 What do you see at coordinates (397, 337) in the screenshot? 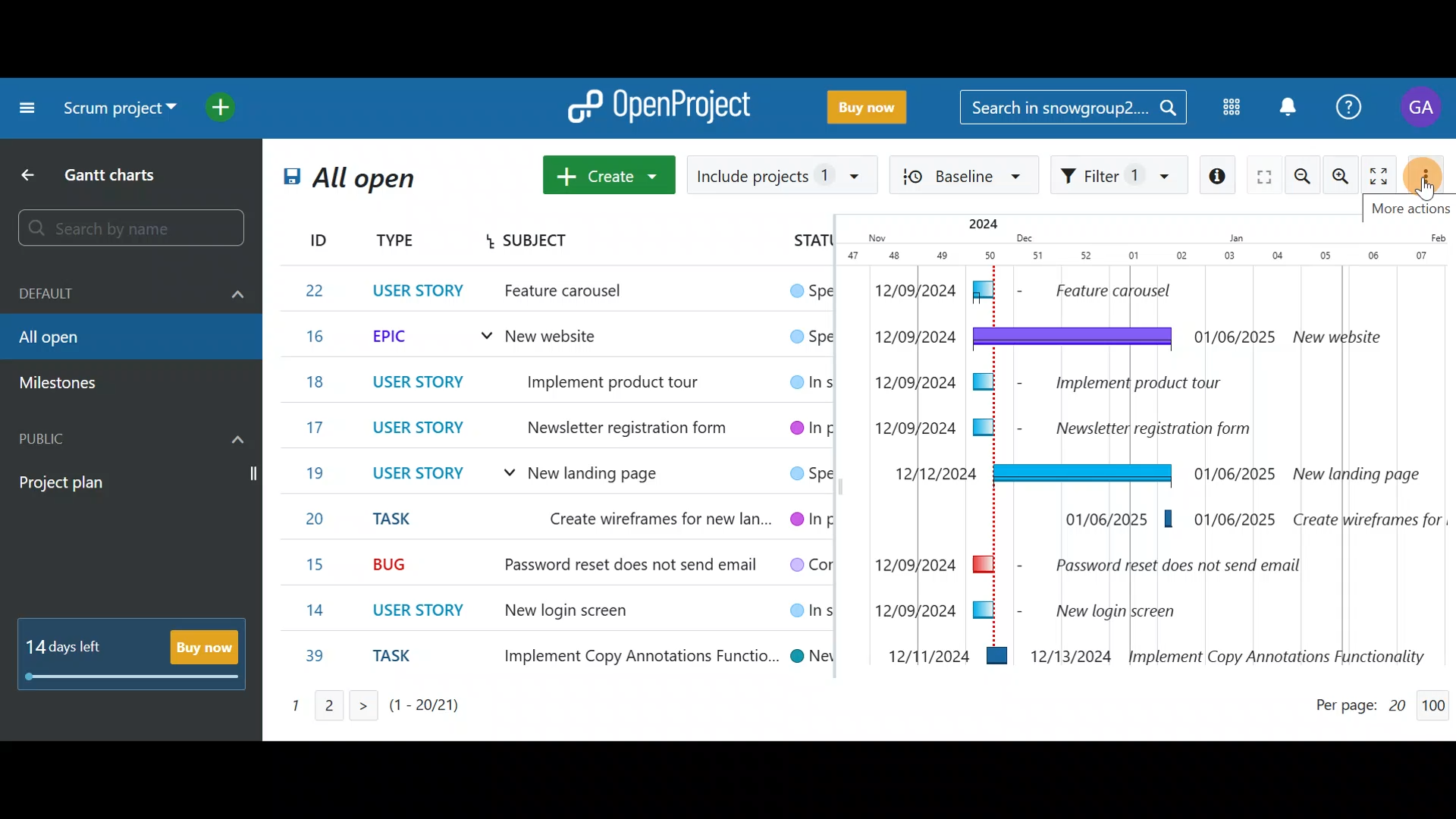
I see `EPIC` at bounding box center [397, 337].